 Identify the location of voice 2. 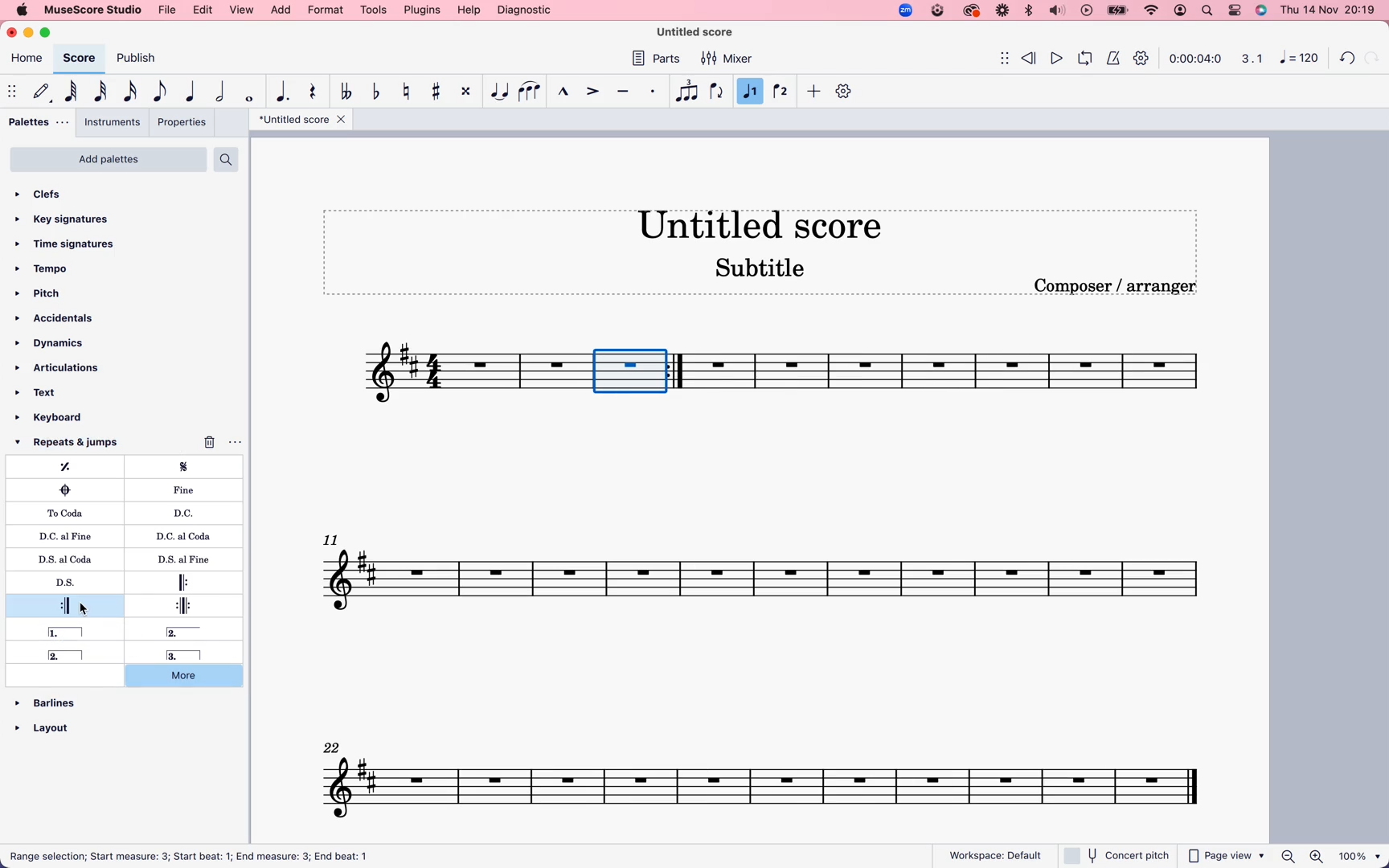
(782, 90).